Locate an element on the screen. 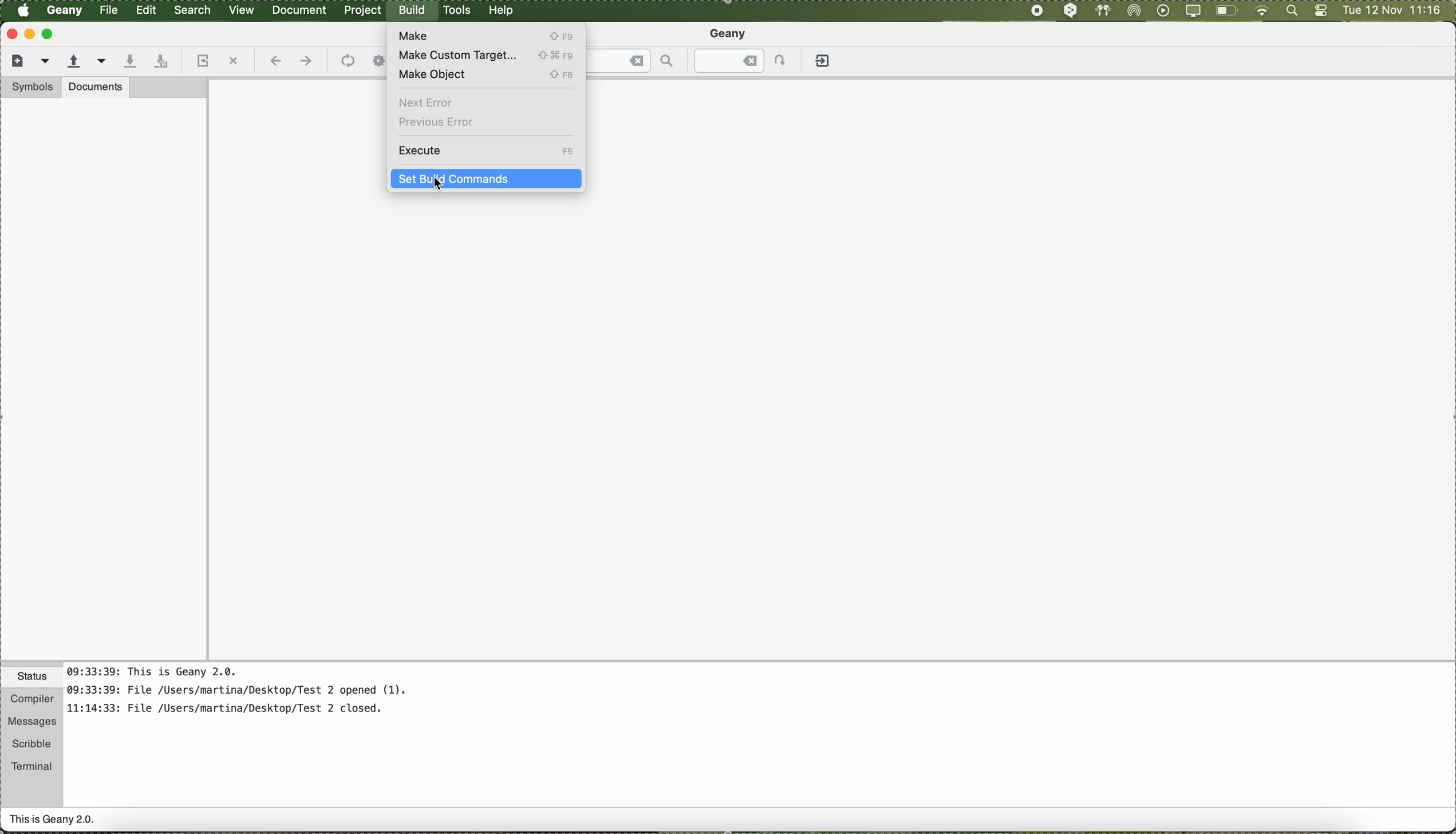 The image size is (1456, 834). stop recording is located at coordinates (1036, 10).